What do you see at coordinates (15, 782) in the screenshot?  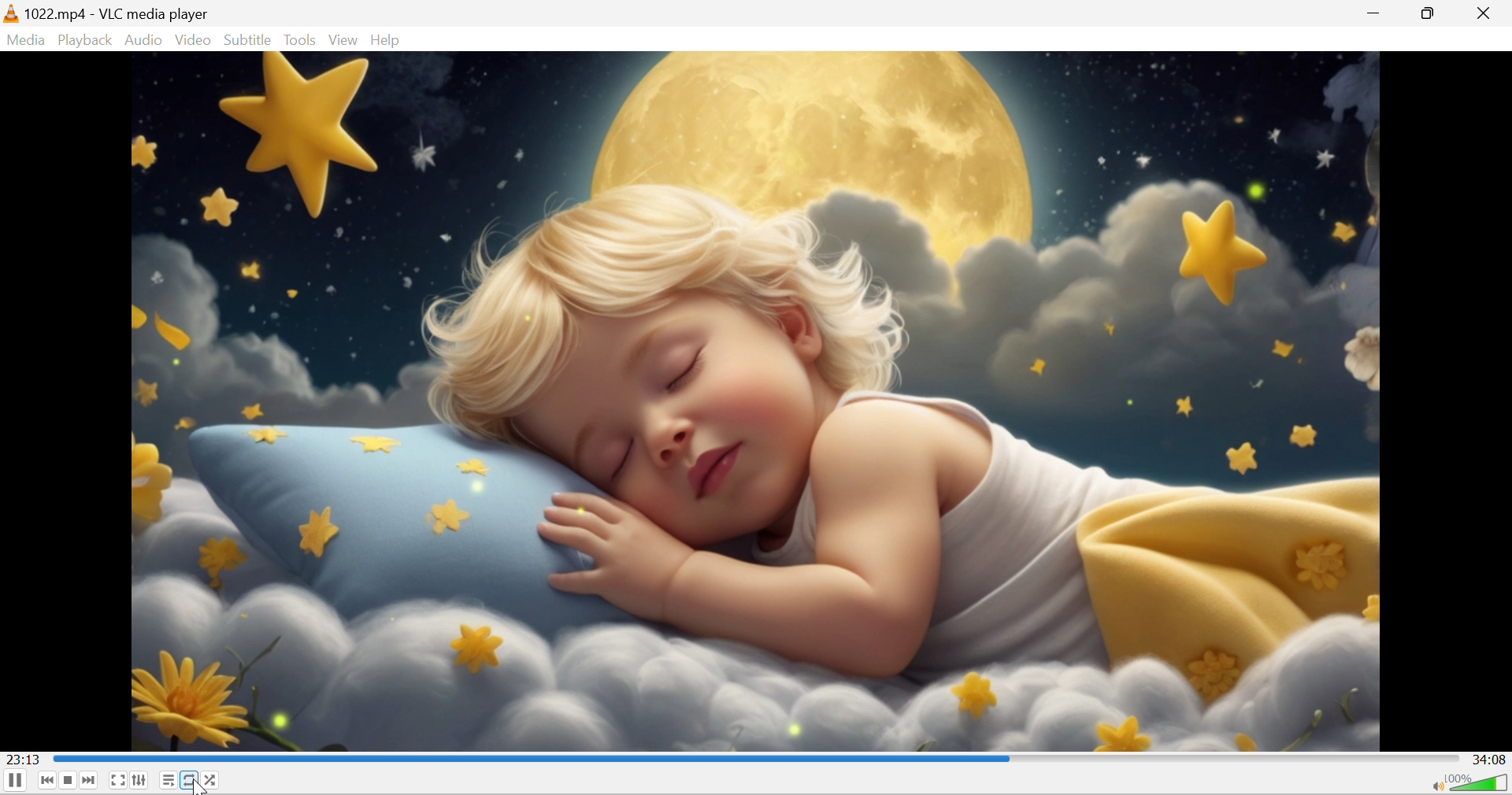 I see `Pause the playback` at bounding box center [15, 782].